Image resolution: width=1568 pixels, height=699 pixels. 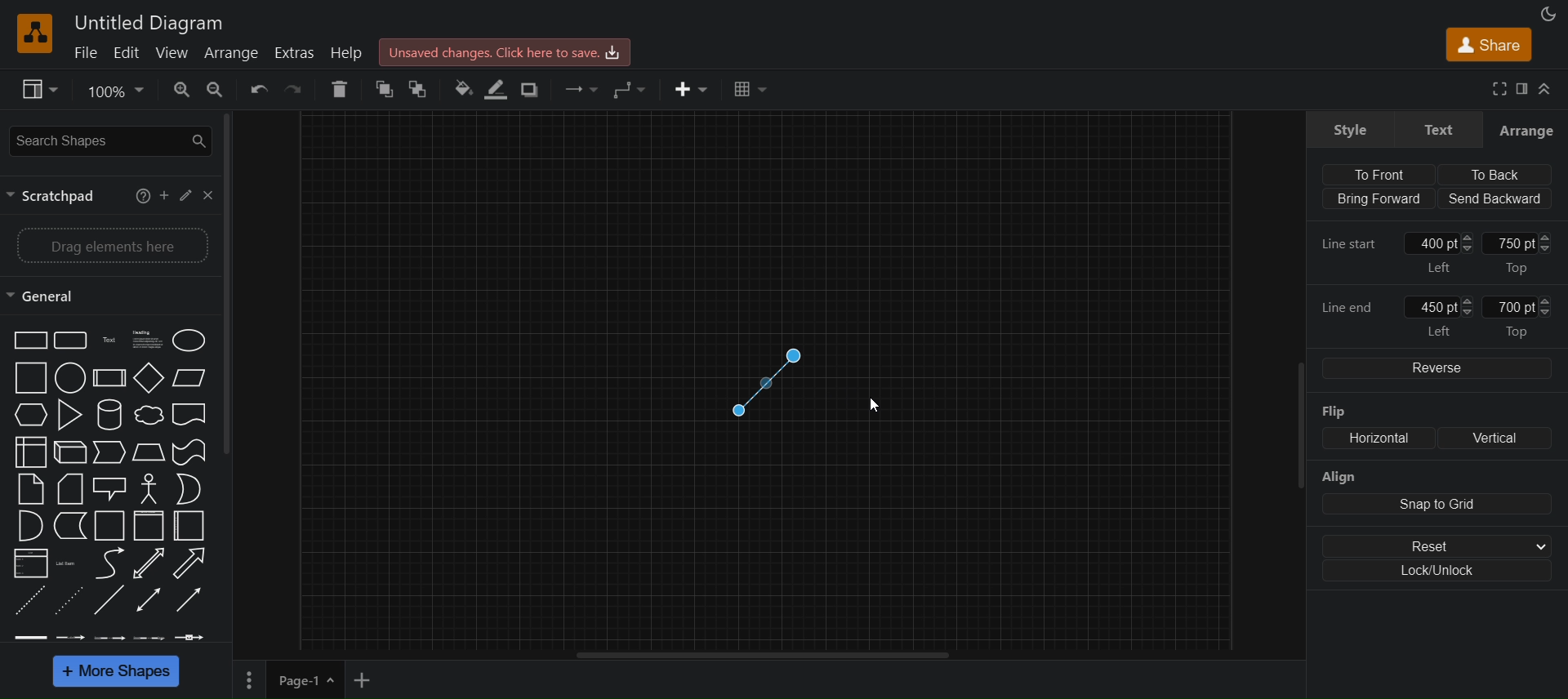 I want to click on Unsaved changes. Click here to save, so click(x=506, y=51).